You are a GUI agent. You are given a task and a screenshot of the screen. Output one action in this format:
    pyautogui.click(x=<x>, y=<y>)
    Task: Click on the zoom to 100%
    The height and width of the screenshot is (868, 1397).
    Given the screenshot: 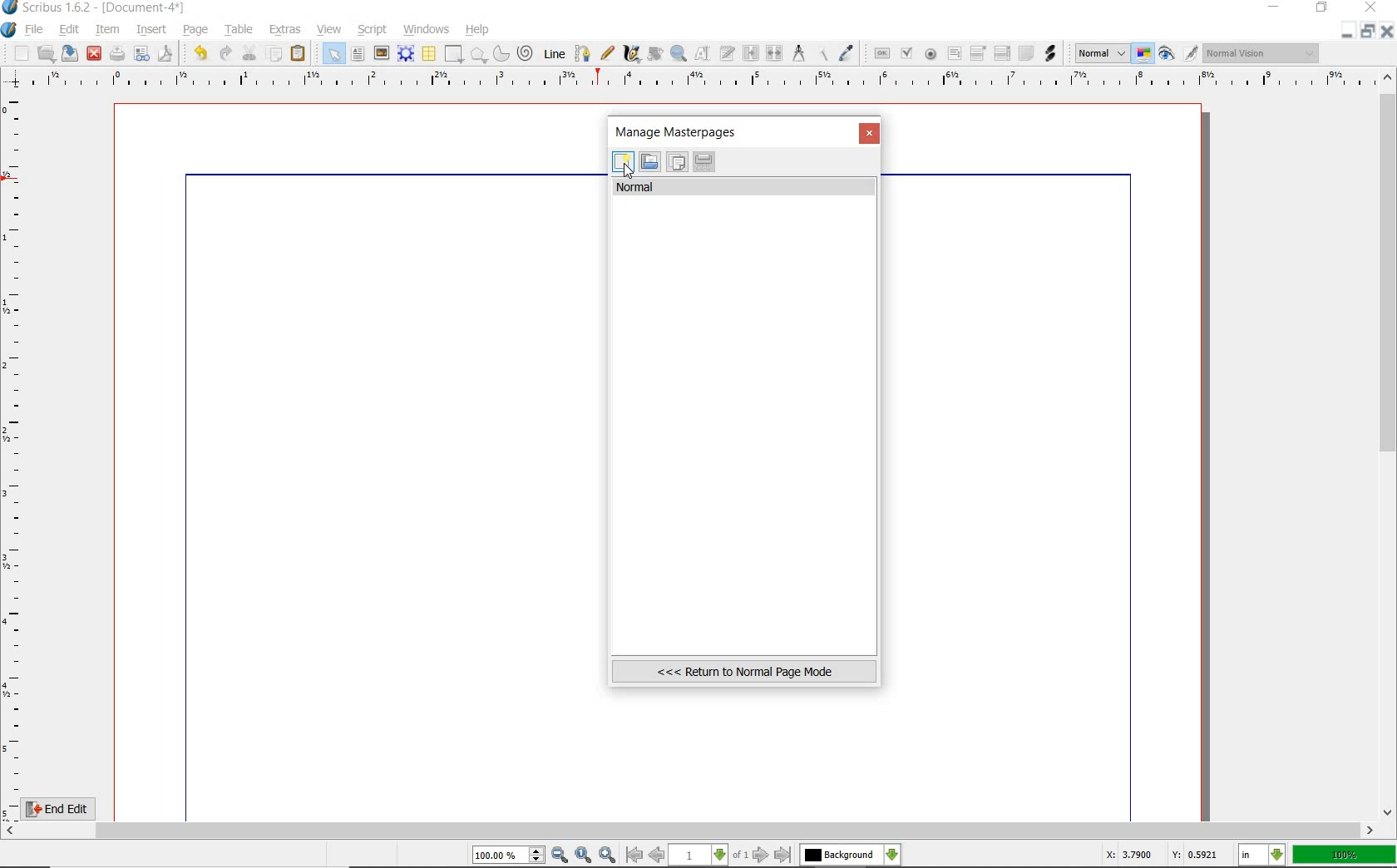 What is the action you would take?
    pyautogui.click(x=585, y=856)
    